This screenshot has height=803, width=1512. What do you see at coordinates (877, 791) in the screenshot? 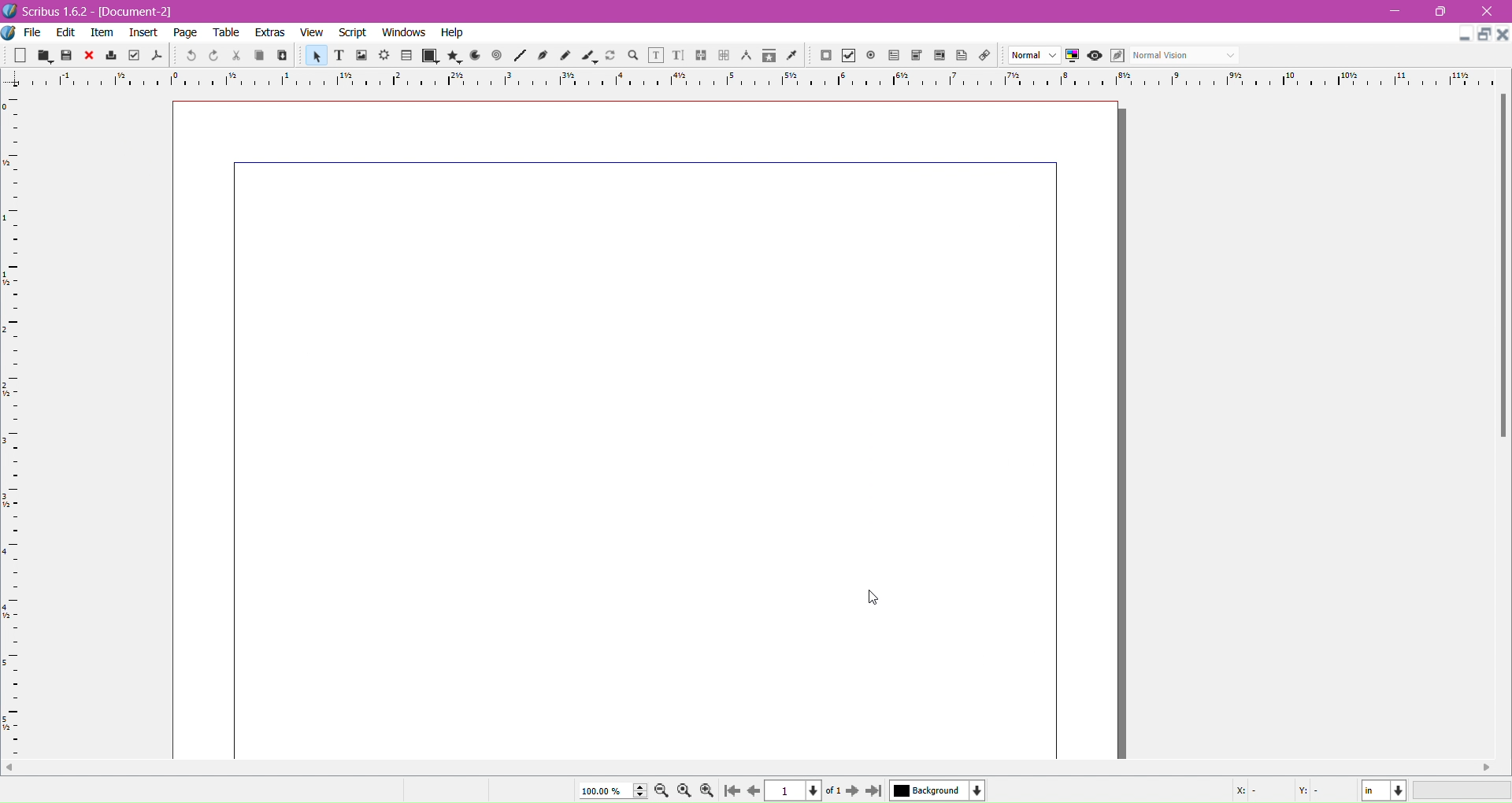
I see `end` at bounding box center [877, 791].